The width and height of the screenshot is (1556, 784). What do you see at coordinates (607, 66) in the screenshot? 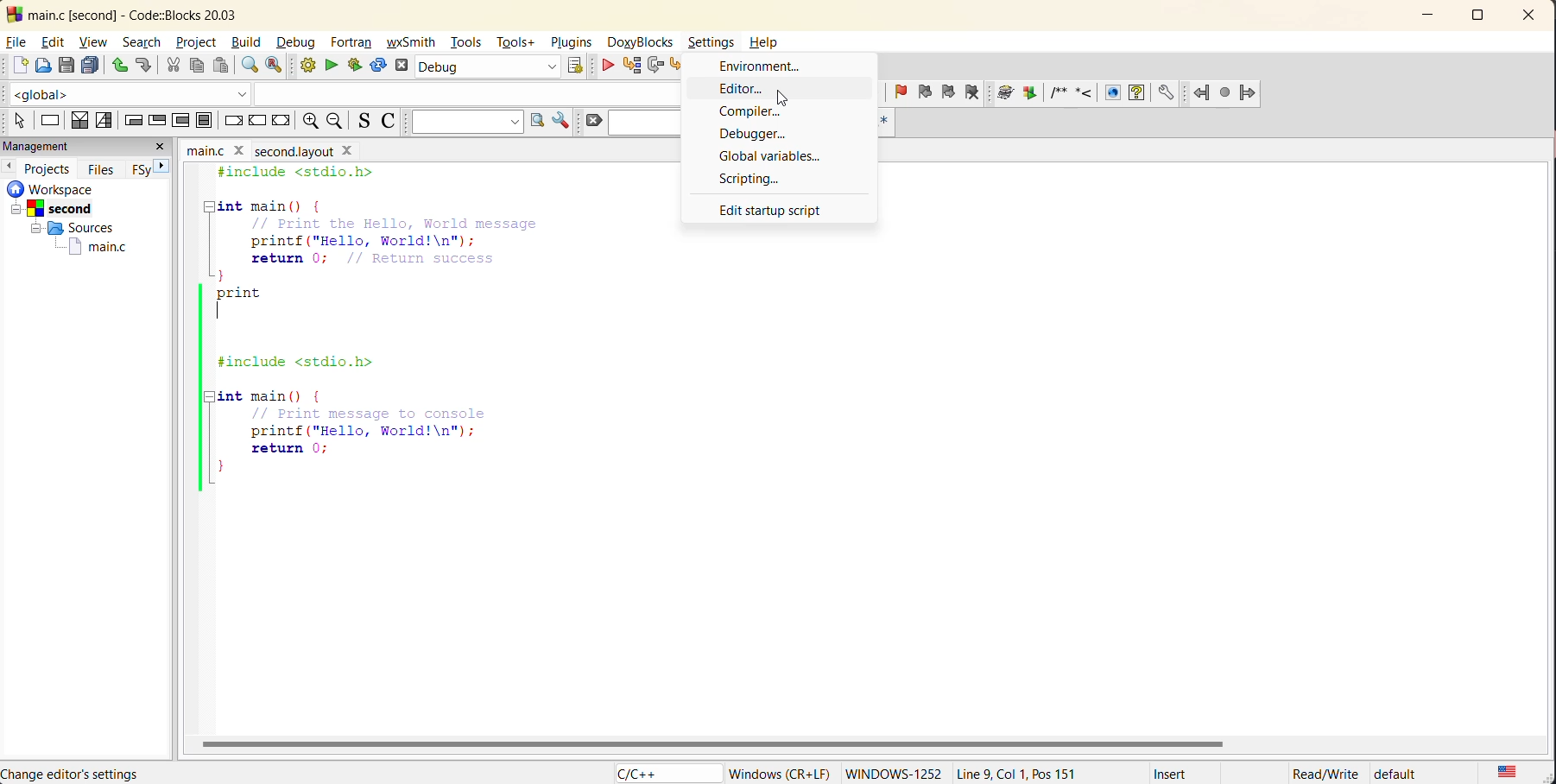
I see `debug` at bounding box center [607, 66].